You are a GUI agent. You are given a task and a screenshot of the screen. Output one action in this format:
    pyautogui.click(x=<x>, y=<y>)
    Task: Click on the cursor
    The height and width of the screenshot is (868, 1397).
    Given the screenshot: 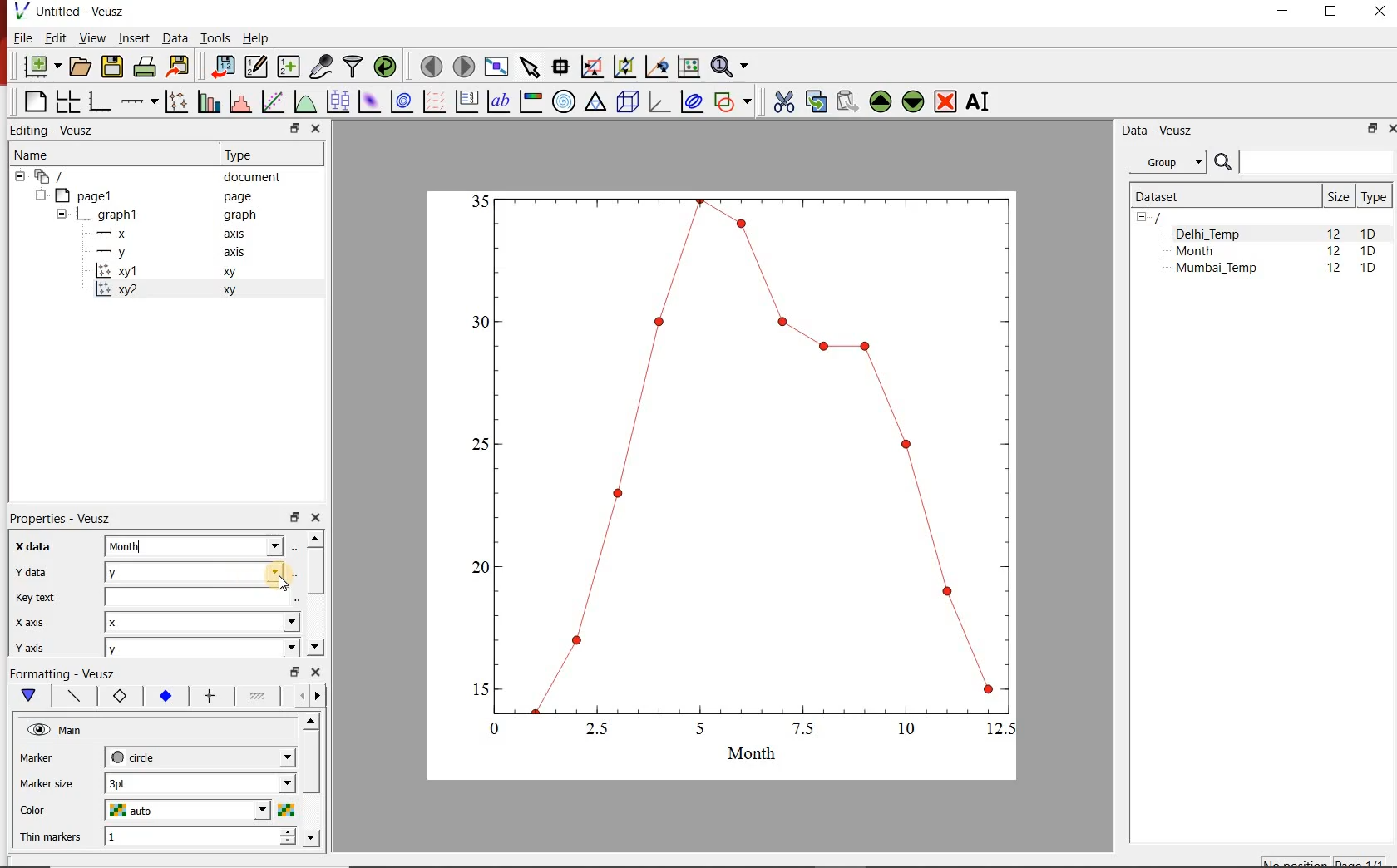 What is the action you would take?
    pyautogui.click(x=280, y=581)
    